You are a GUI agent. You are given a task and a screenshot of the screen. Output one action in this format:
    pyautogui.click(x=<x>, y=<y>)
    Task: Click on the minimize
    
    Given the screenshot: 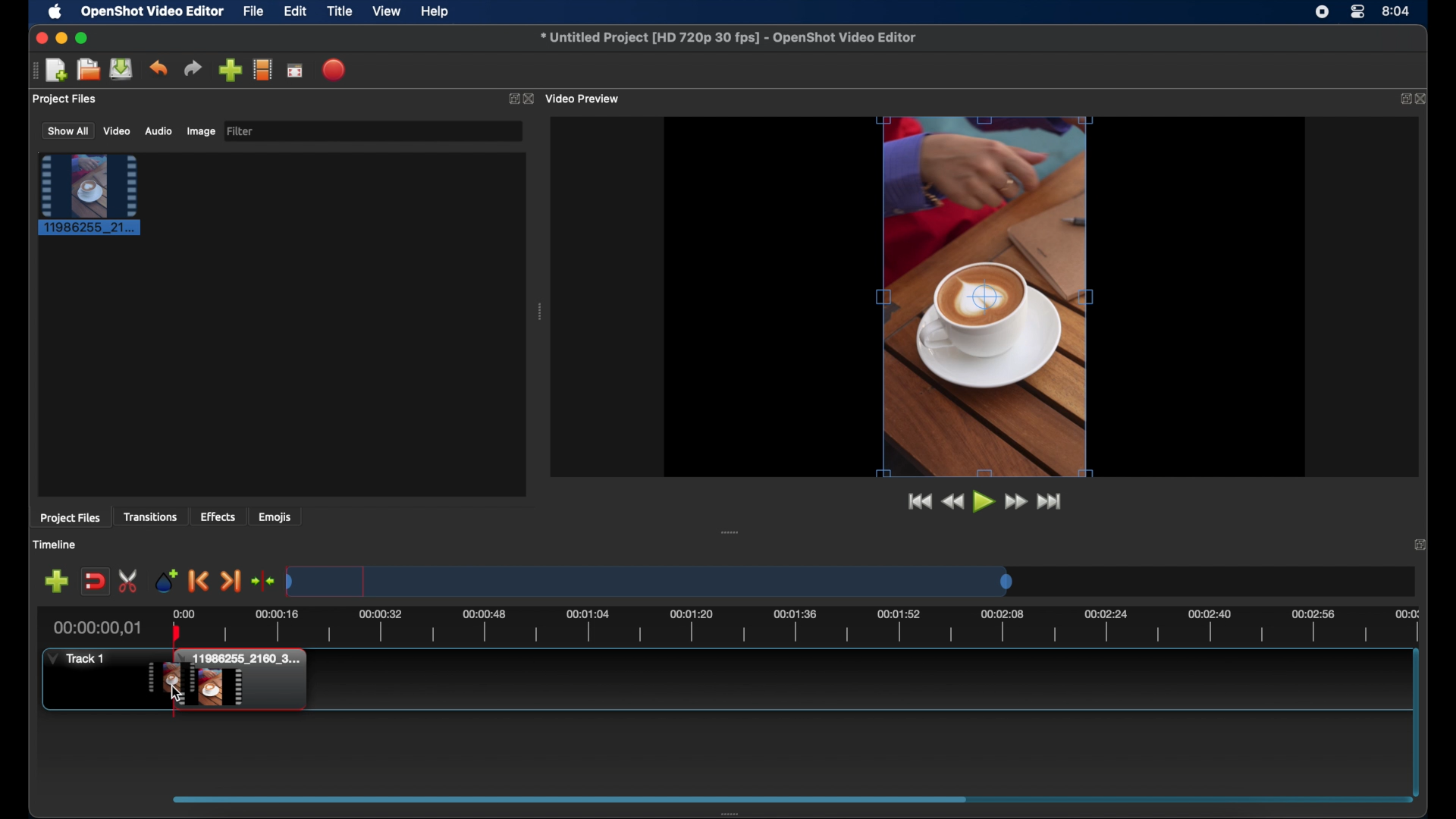 What is the action you would take?
    pyautogui.click(x=61, y=38)
    